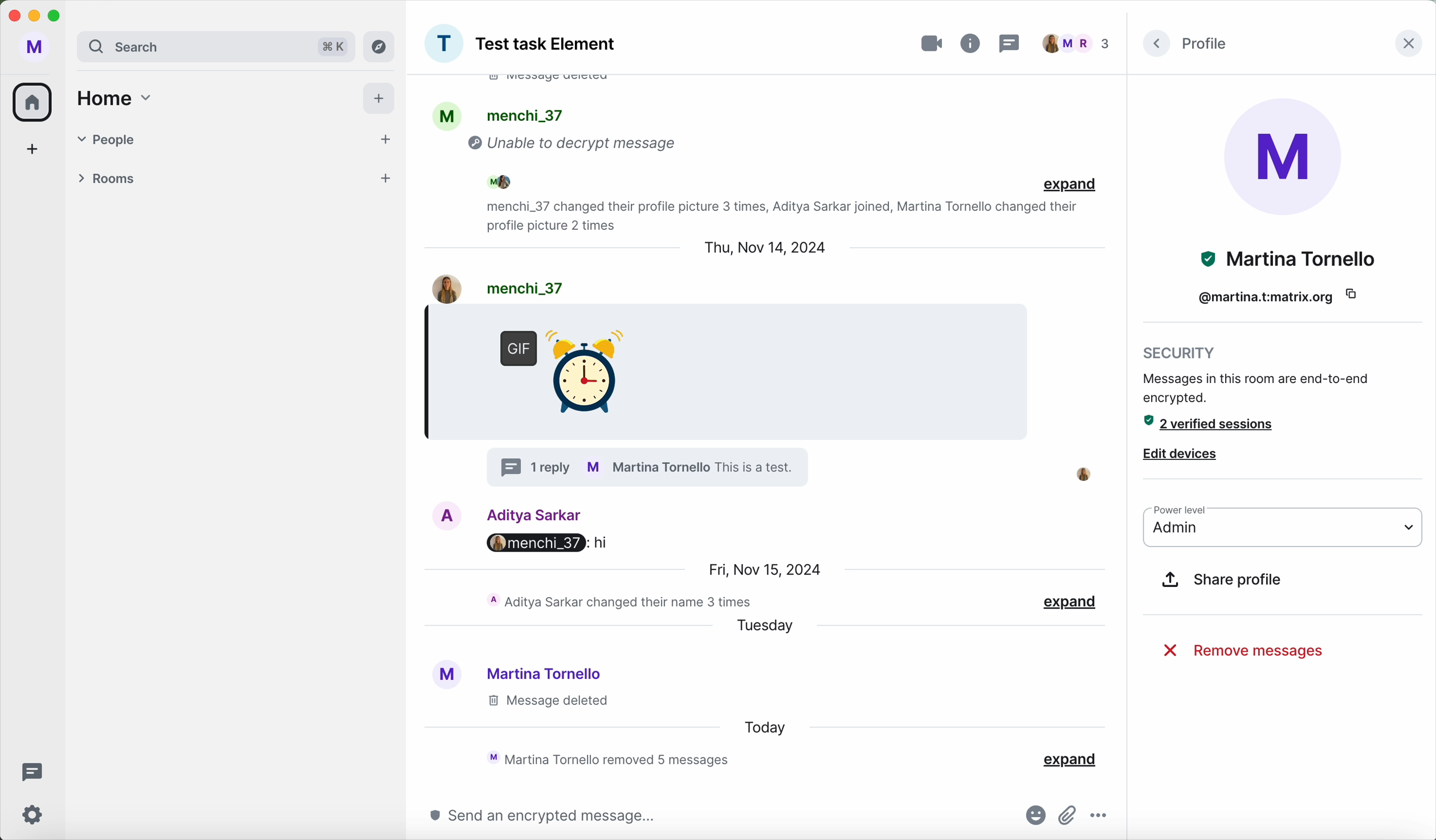 This screenshot has height=840, width=1436. What do you see at coordinates (1217, 424) in the screenshot?
I see `2 verified sessions` at bounding box center [1217, 424].